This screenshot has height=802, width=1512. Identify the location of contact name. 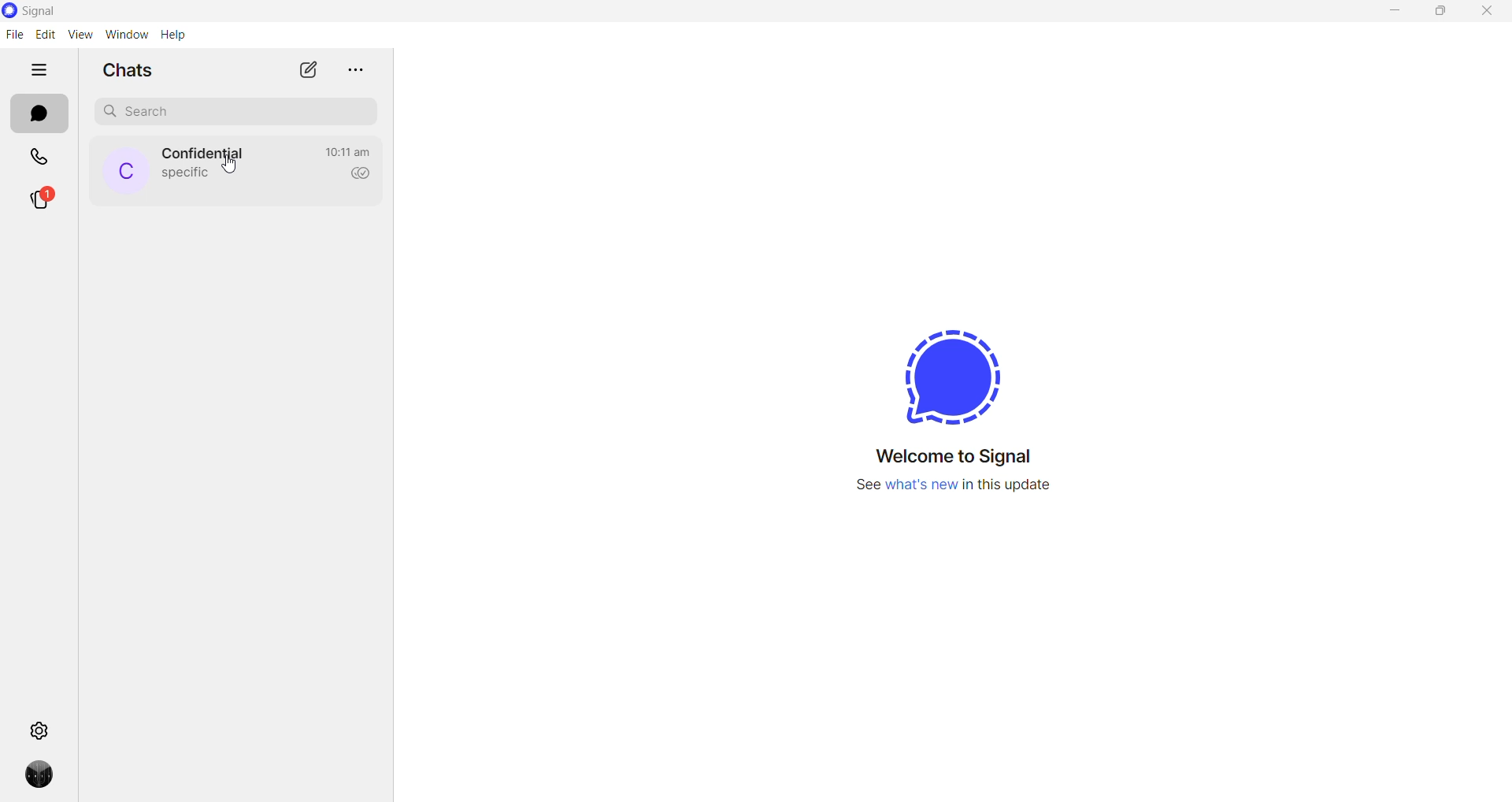
(205, 154).